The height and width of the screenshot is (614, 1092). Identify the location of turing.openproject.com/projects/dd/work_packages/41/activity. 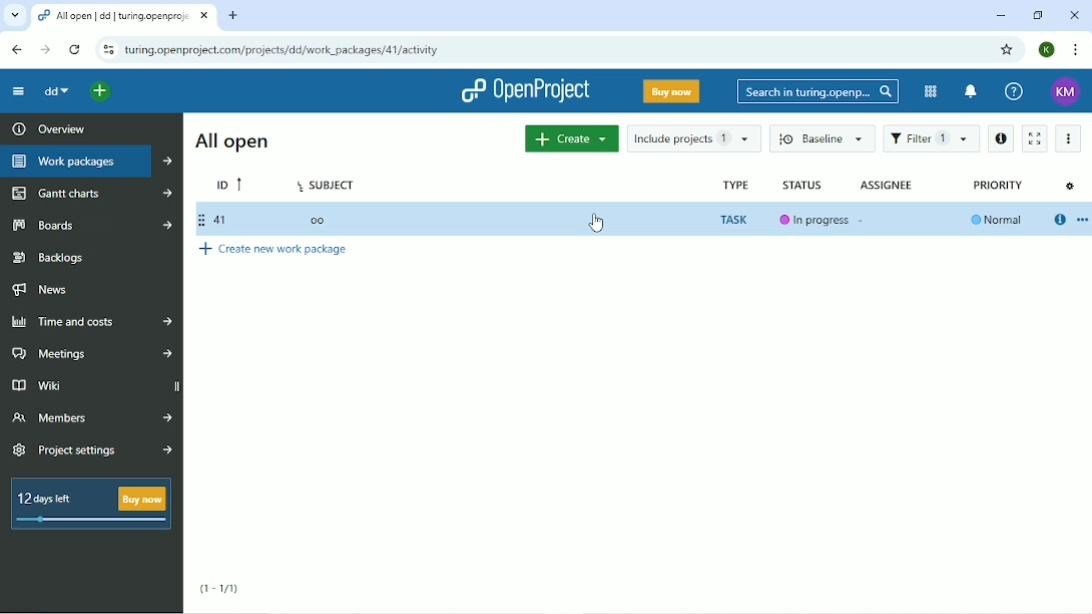
(281, 51).